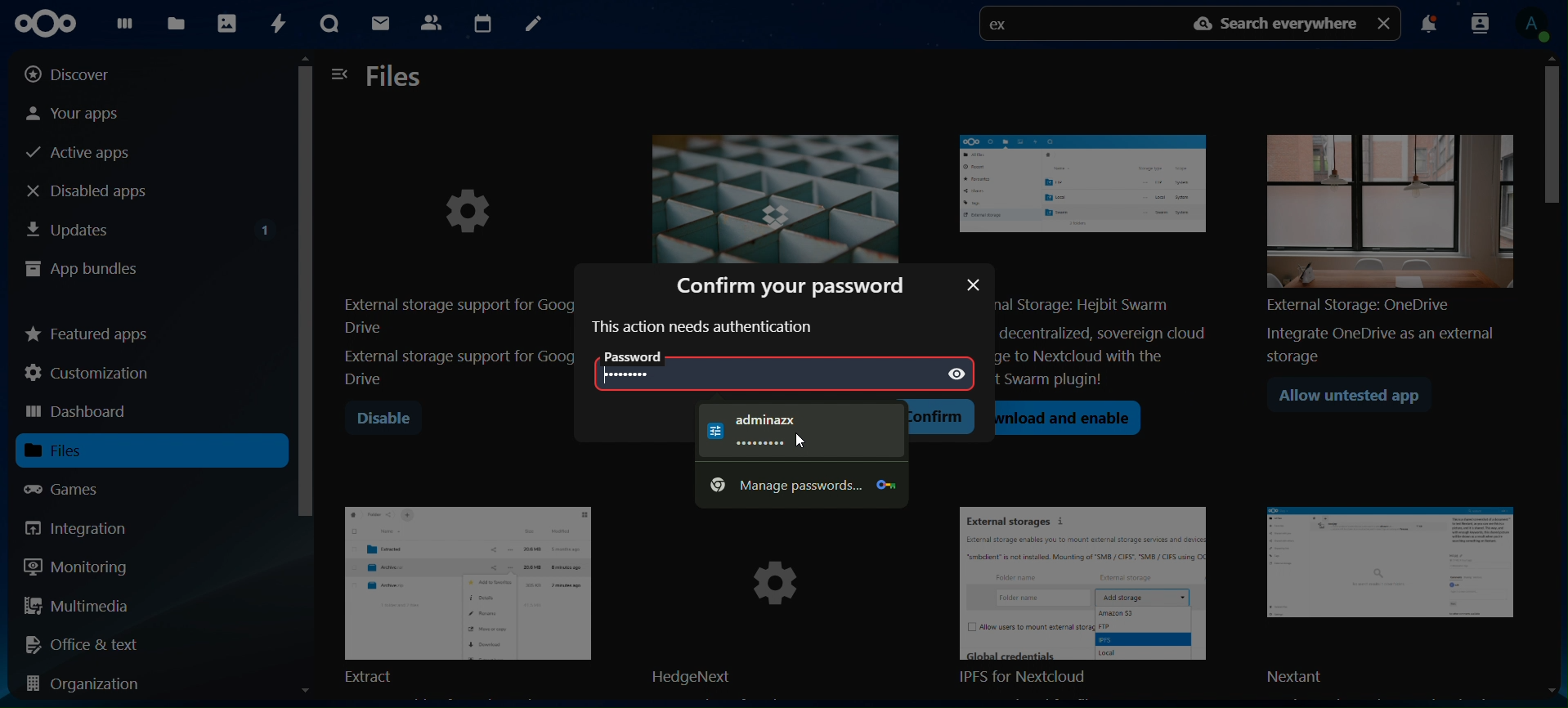 This screenshot has height=708, width=1568. Describe the element at coordinates (1278, 24) in the screenshot. I see `search everywhere` at that location.